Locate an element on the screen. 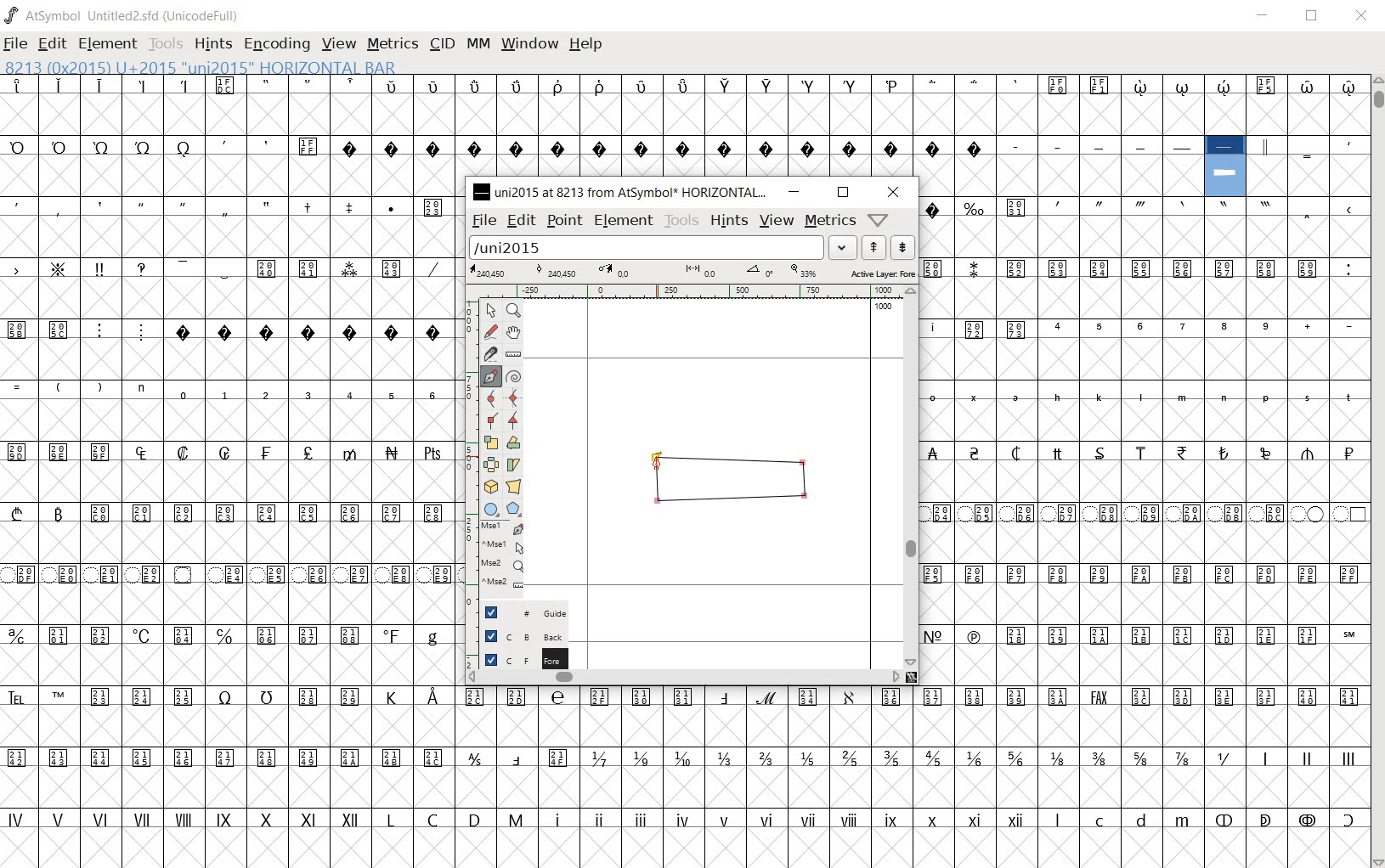 The image size is (1385, 868). edit is located at coordinates (522, 222).